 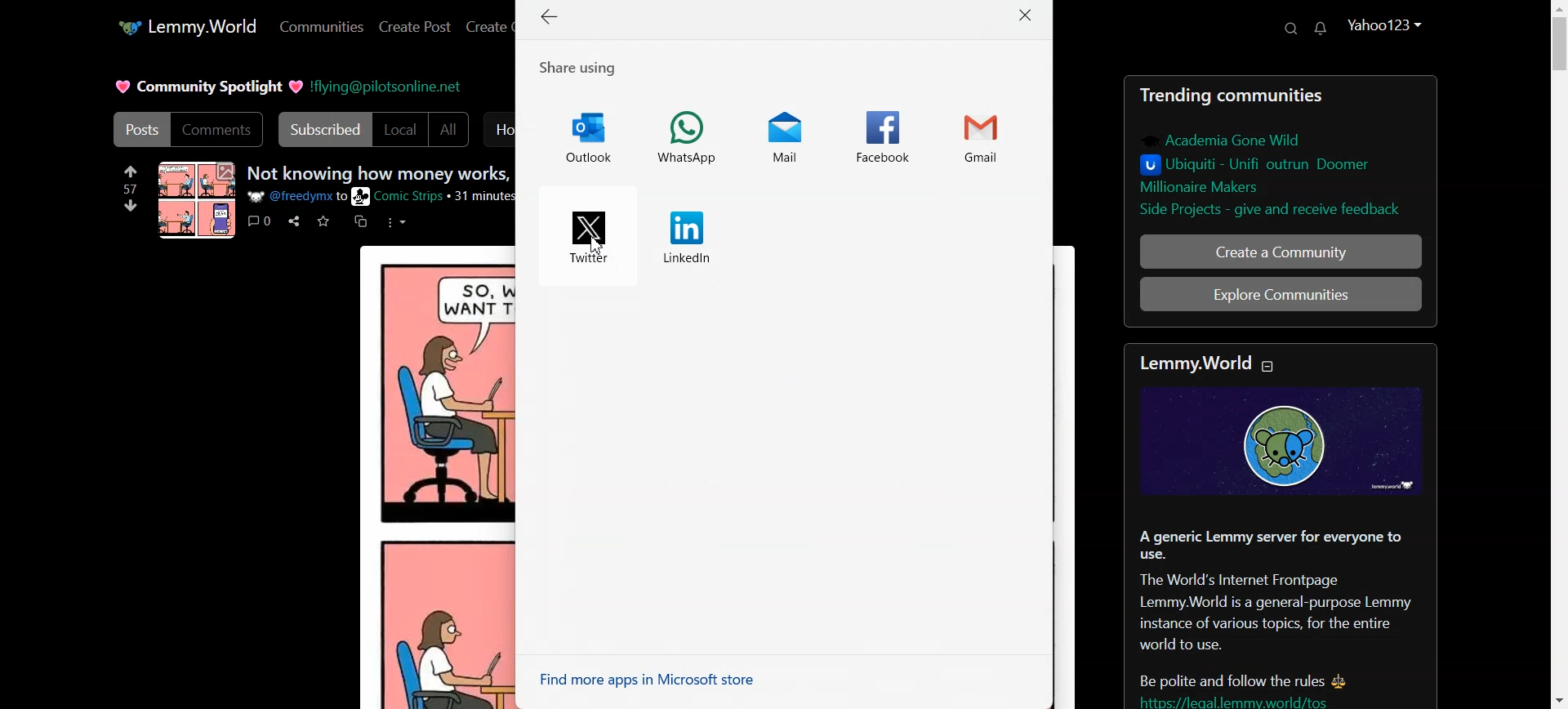 What do you see at coordinates (258, 221) in the screenshot?
I see `Comments` at bounding box center [258, 221].